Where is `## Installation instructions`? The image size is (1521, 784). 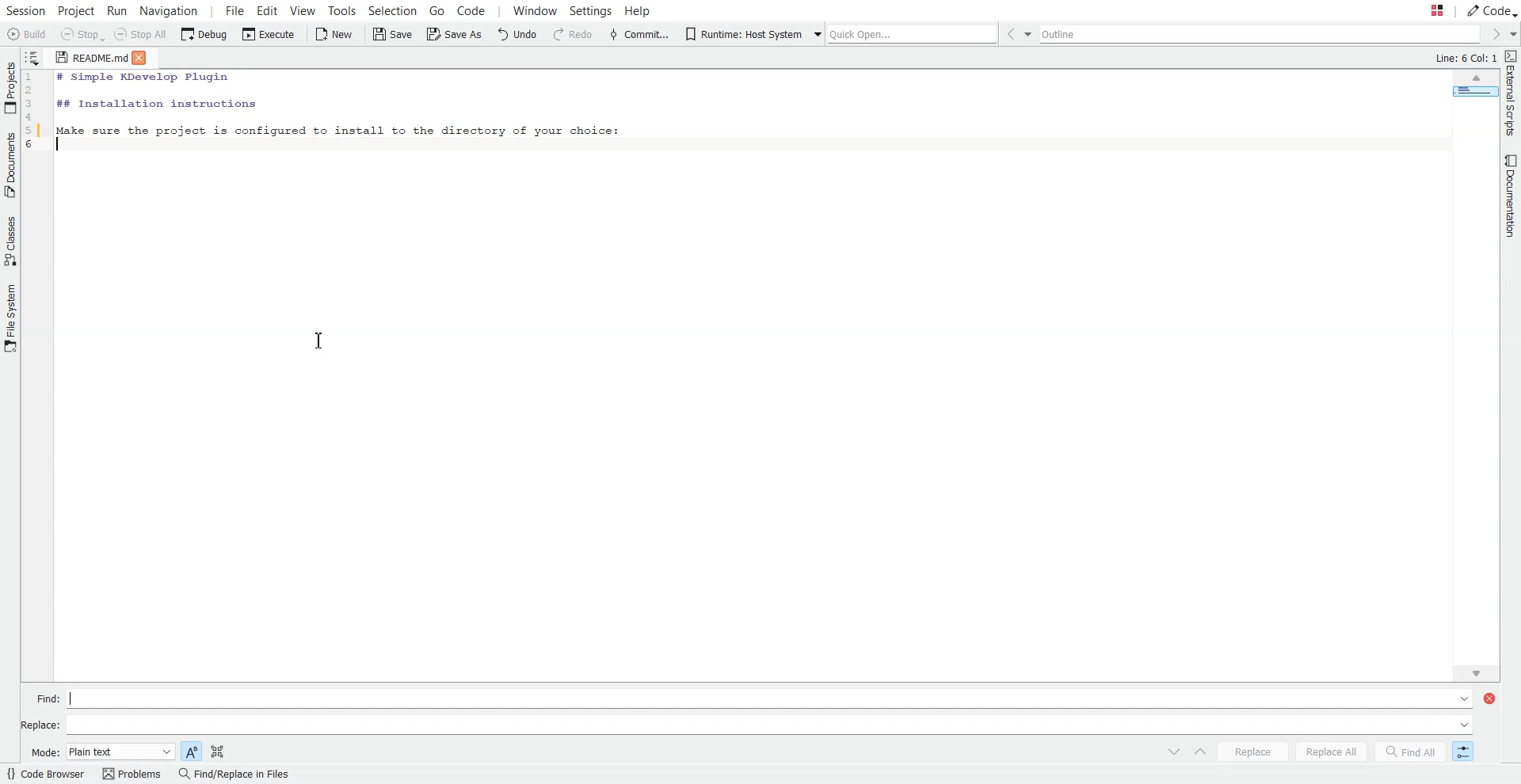 ## Installation instructions is located at coordinates (155, 103).